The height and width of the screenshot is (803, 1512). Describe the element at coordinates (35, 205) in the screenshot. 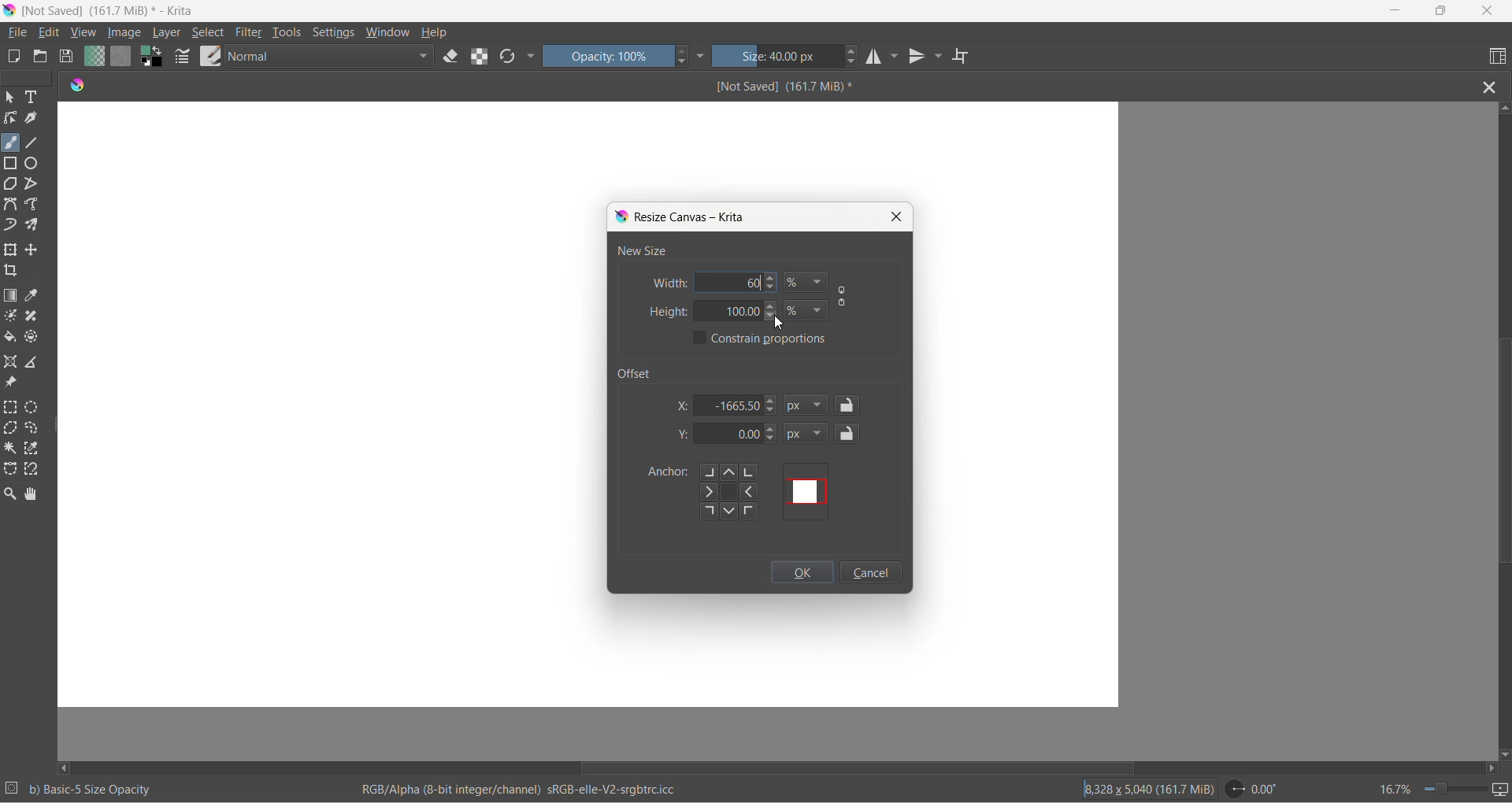

I see `freehand path tool` at that location.